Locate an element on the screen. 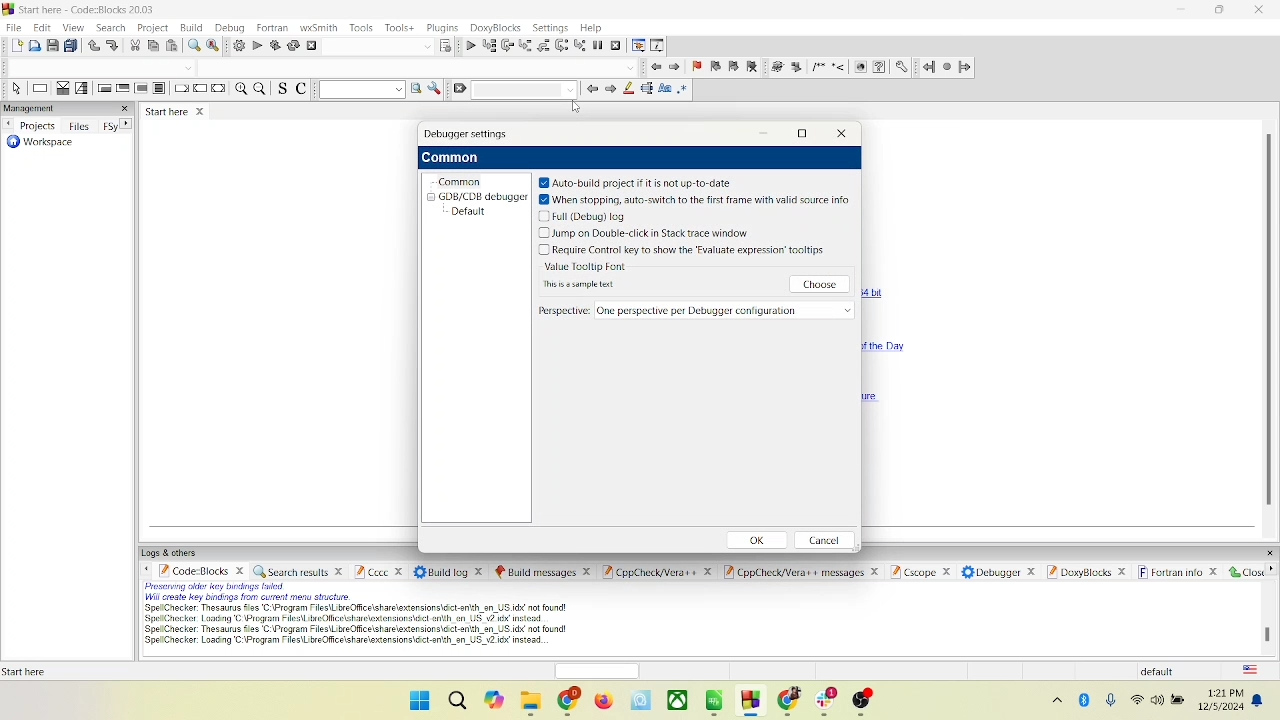 Image resolution: width=1280 pixels, height=720 pixels. highlight is located at coordinates (630, 89).